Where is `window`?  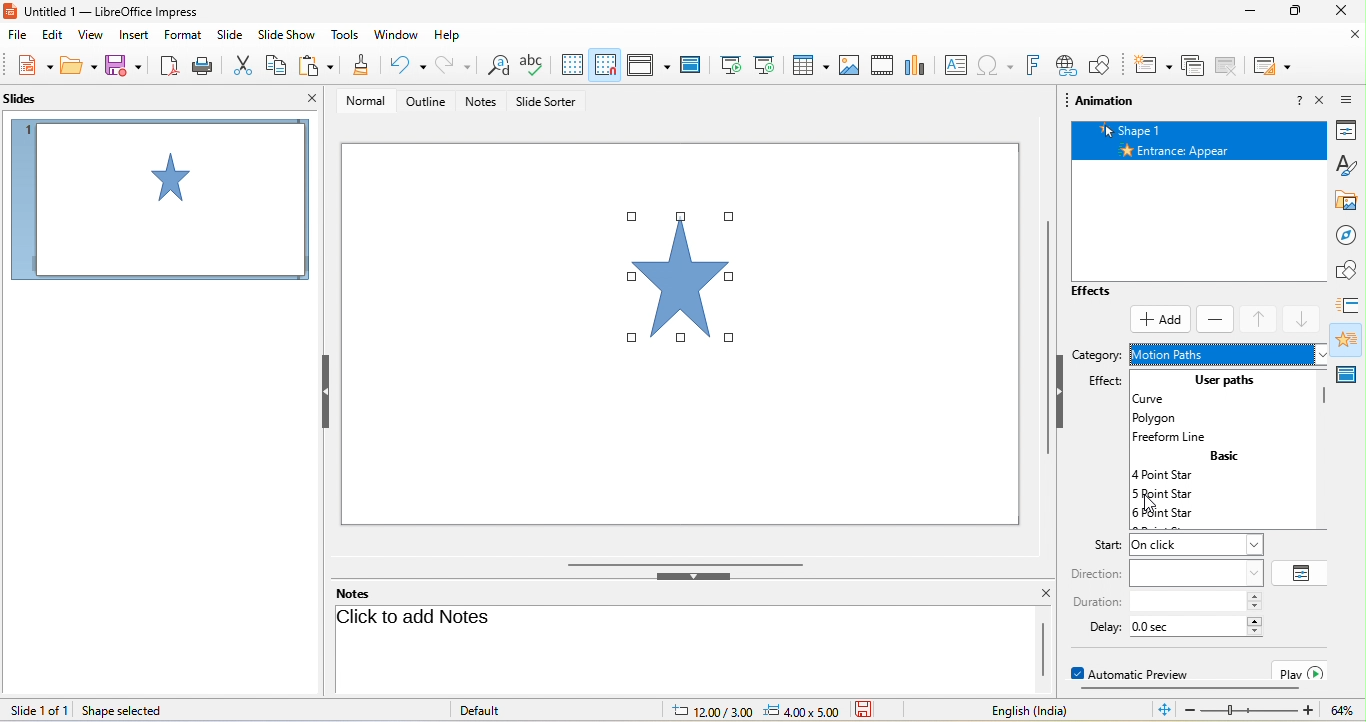
window is located at coordinates (399, 37).